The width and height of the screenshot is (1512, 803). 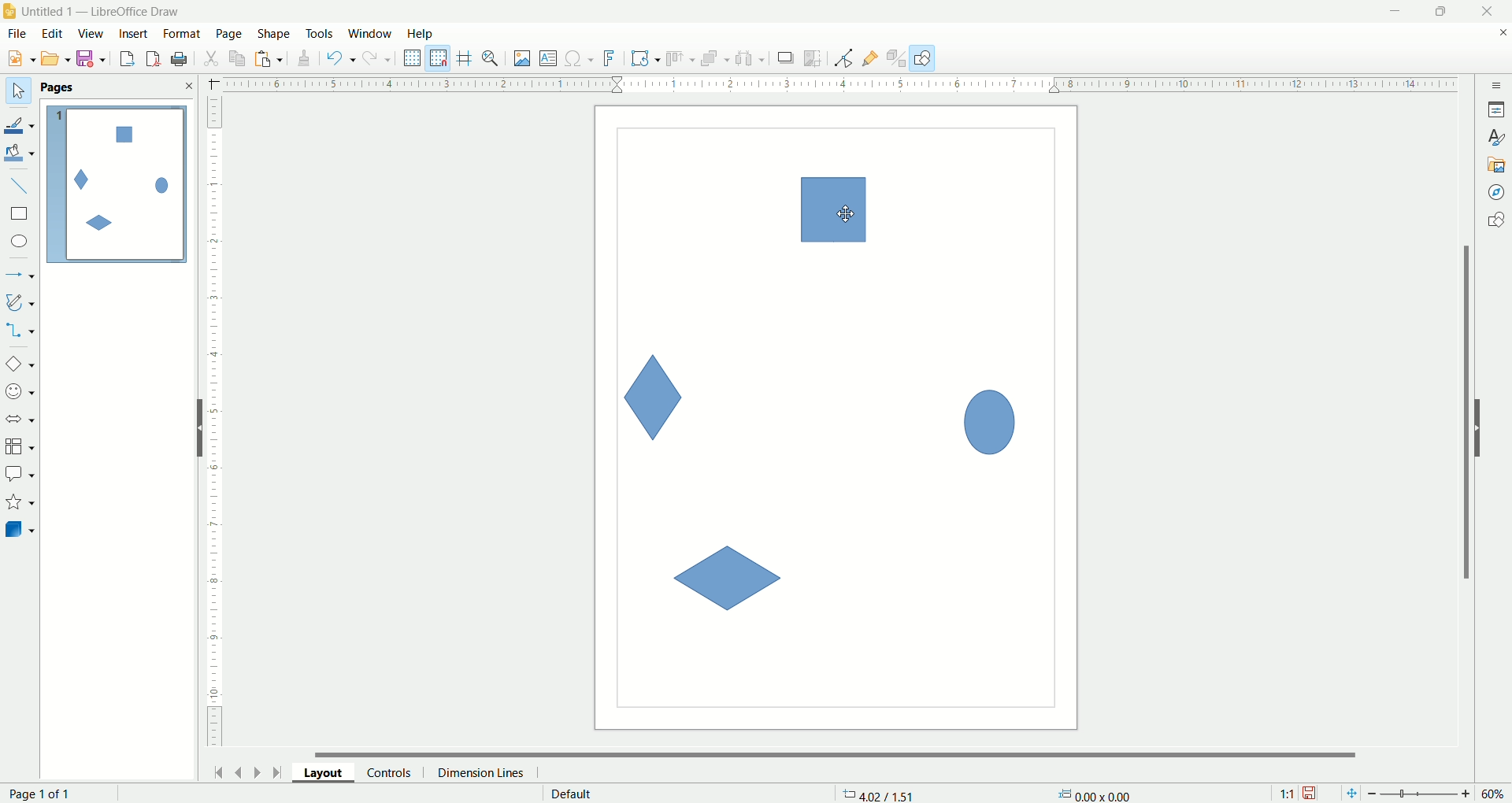 I want to click on text box, so click(x=550, y=60).